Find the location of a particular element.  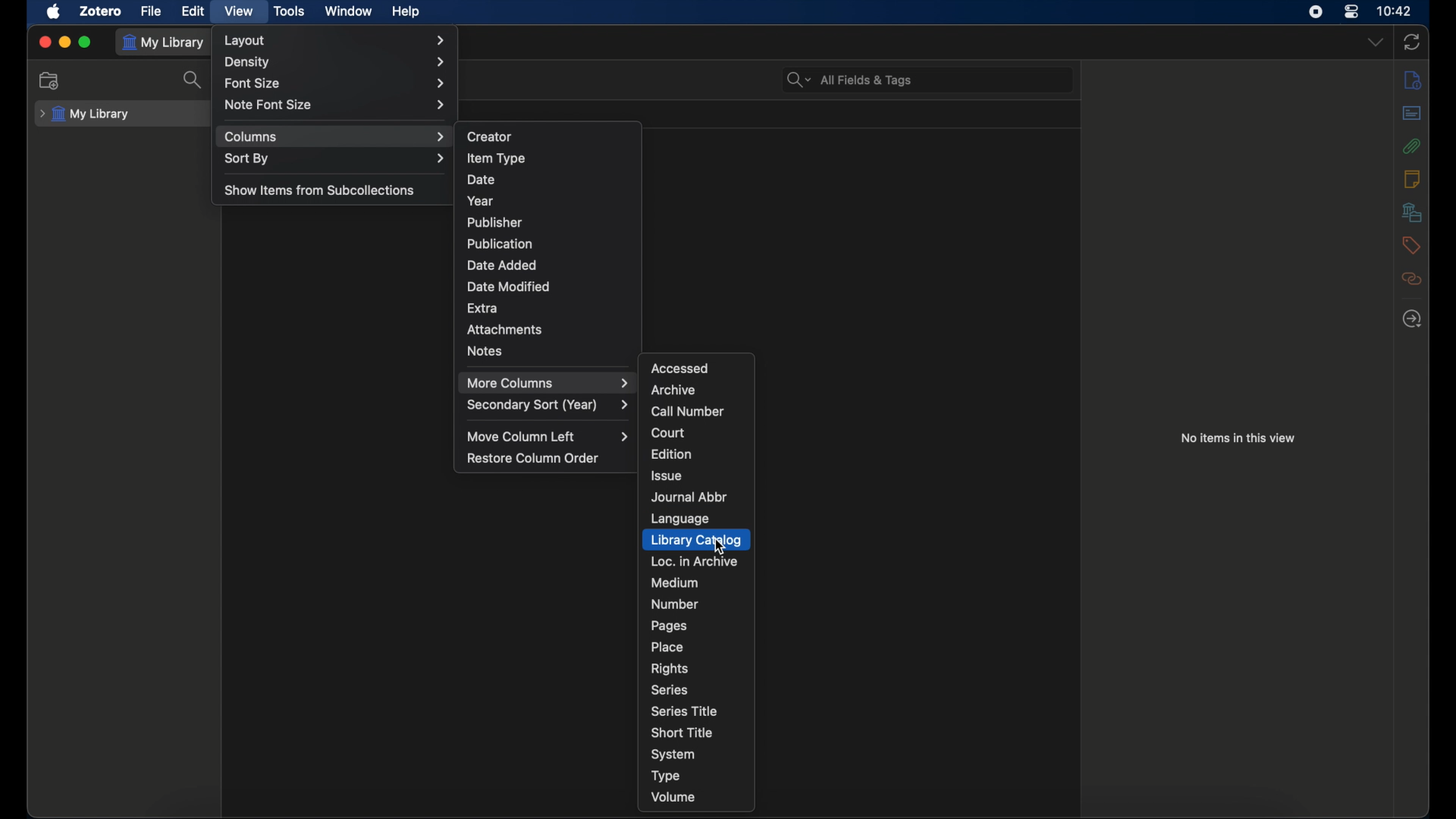

help is located at coordinates (406, 12).